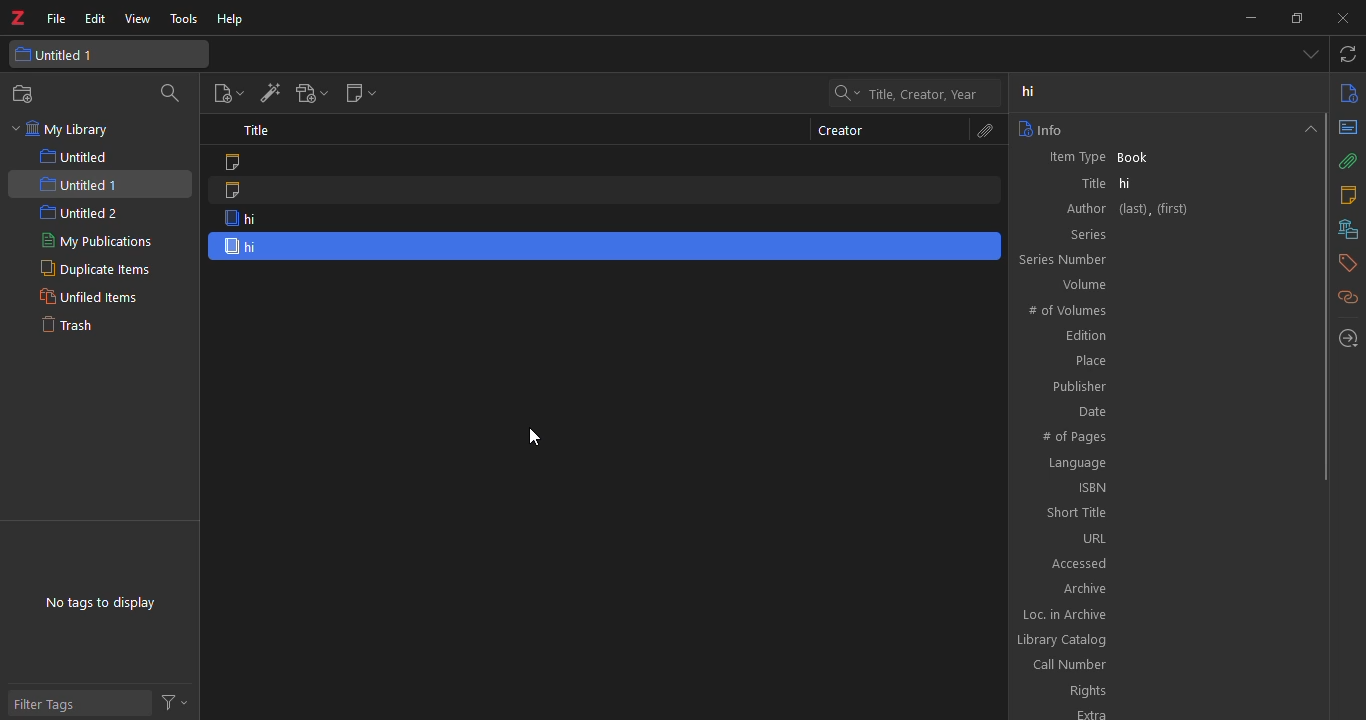 This screenshot has width=1366, height=720. What do you see at coordinates (1310, 132) in the screenshot?
I see `expand` at bounding box center [1310, 132].